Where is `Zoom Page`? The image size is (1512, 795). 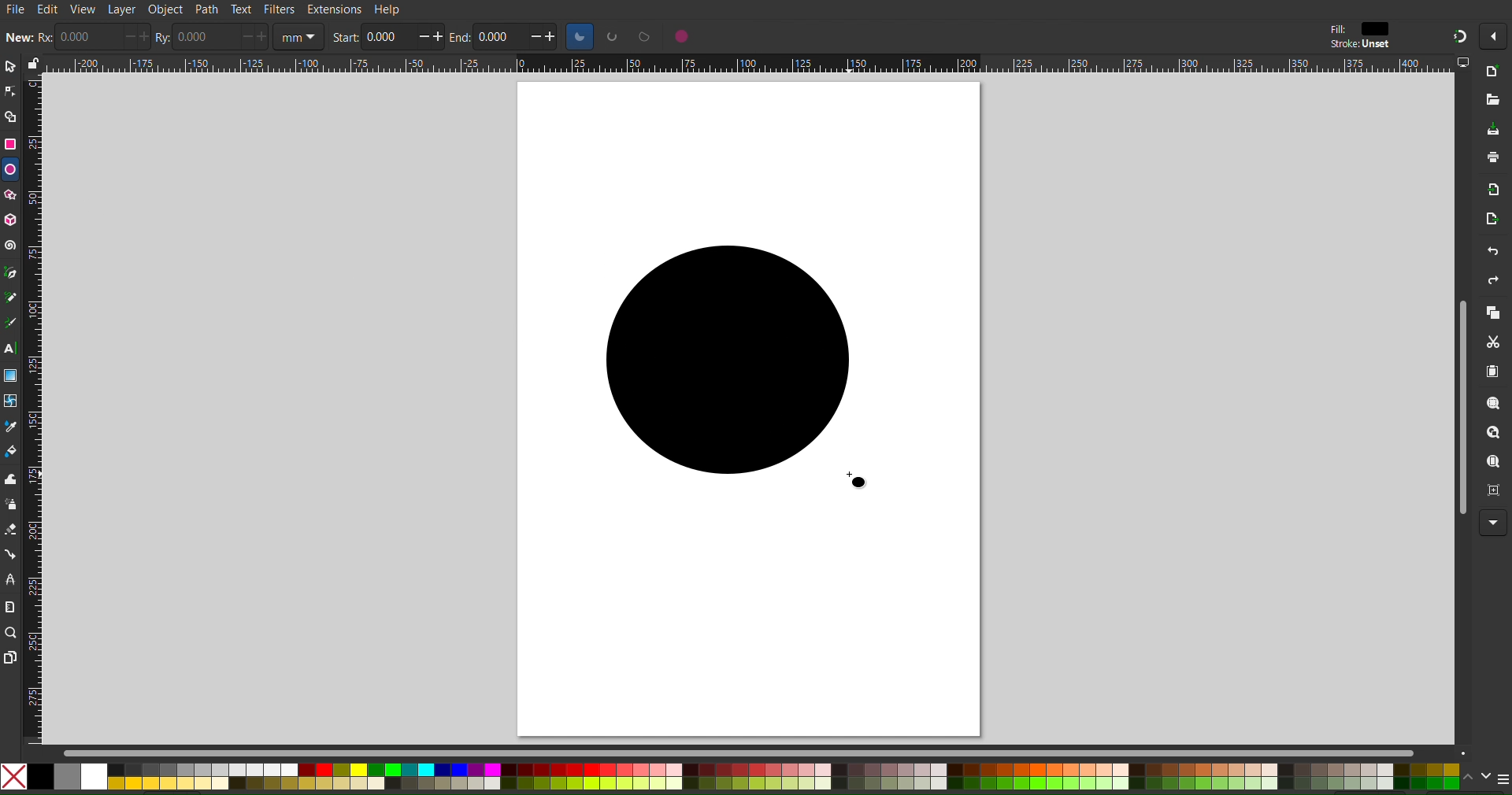
Zoom Page is located at coordinates (1492, 462).